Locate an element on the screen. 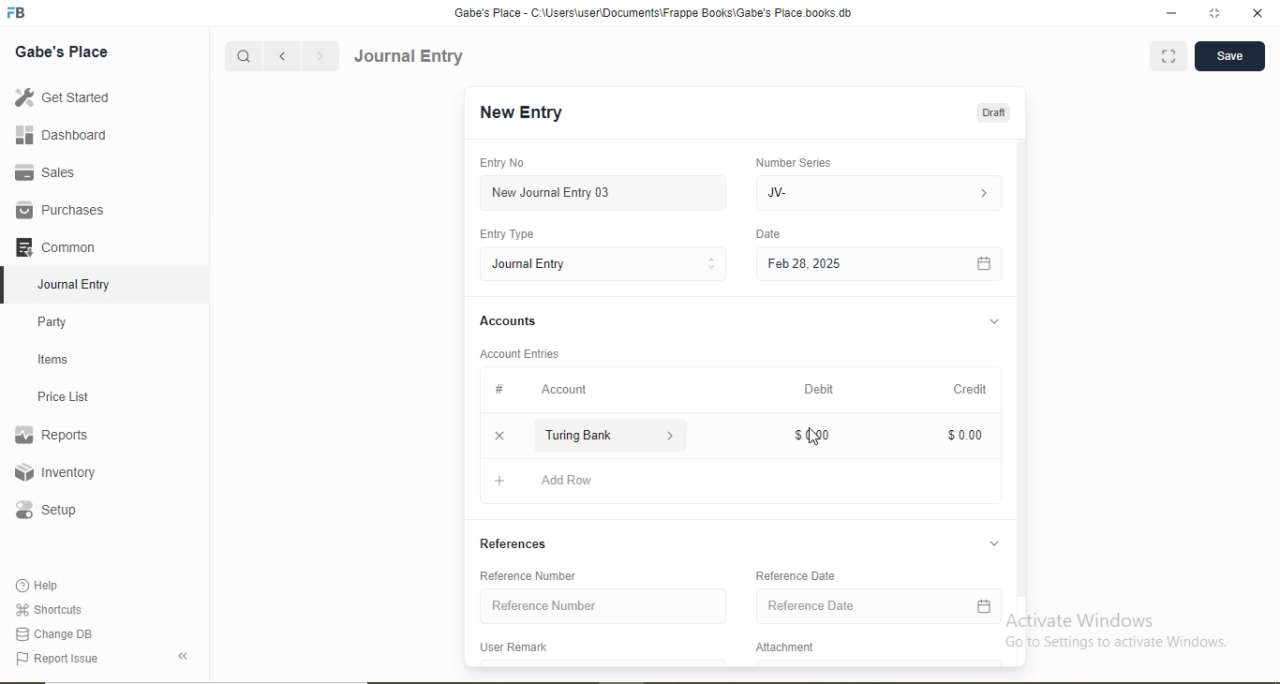  Add is located at coordinates (500, 481).